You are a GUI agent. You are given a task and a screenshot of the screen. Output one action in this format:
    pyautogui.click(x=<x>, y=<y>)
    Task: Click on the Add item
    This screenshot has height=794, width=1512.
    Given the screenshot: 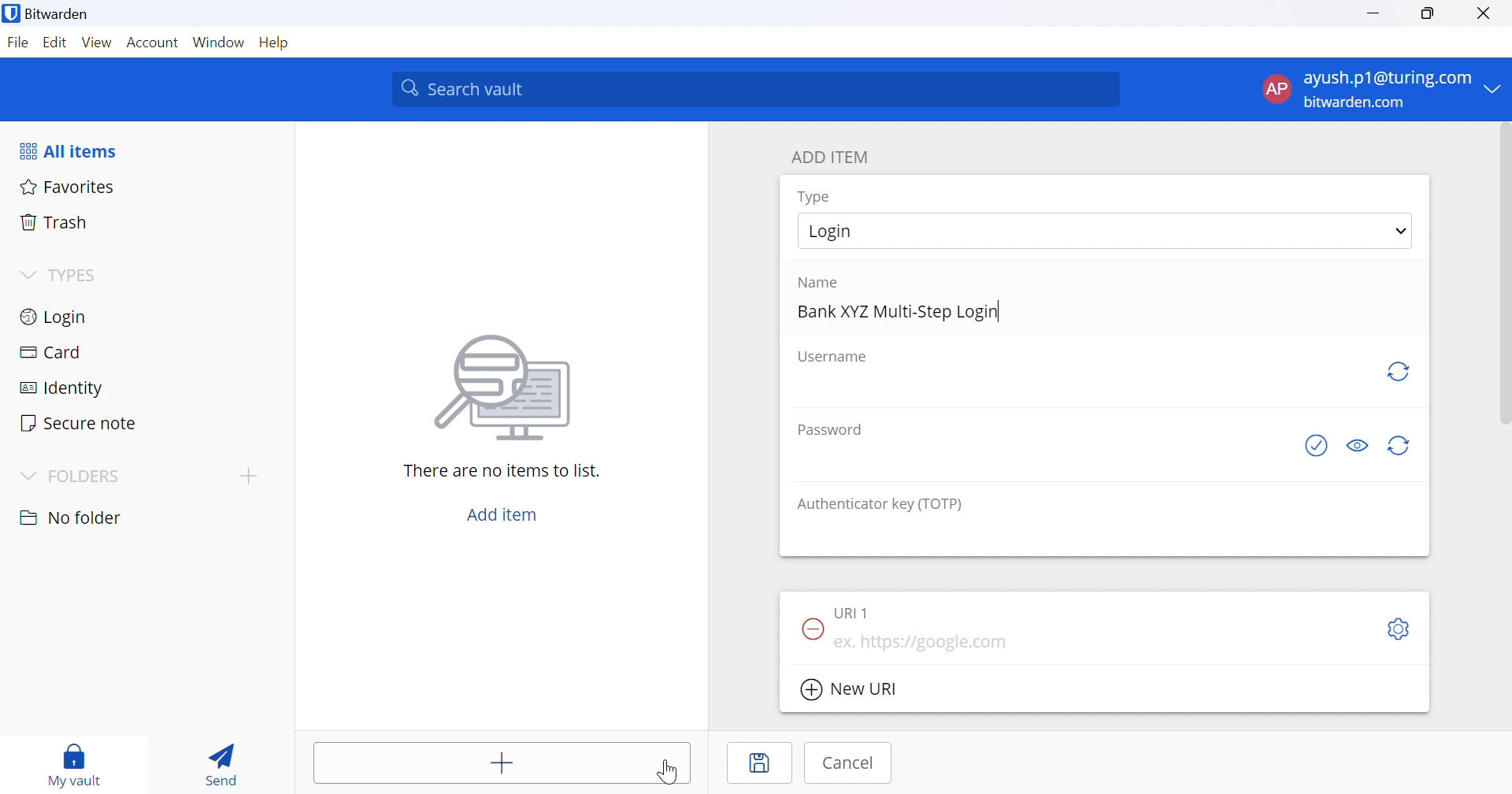 What is the action you would take?
    pyautogui.click(x=503, y=512)
    